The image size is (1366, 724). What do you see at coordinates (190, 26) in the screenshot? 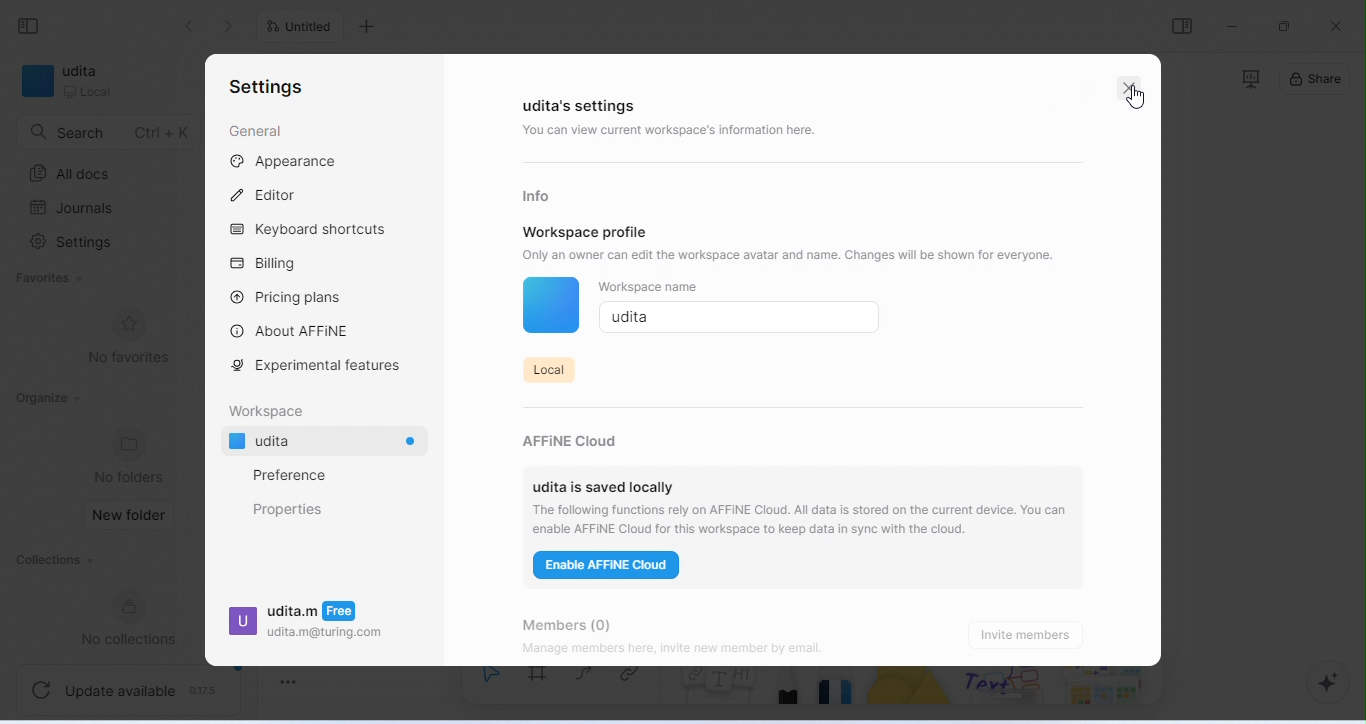
I see `go back` at bounding box center [190, 26].